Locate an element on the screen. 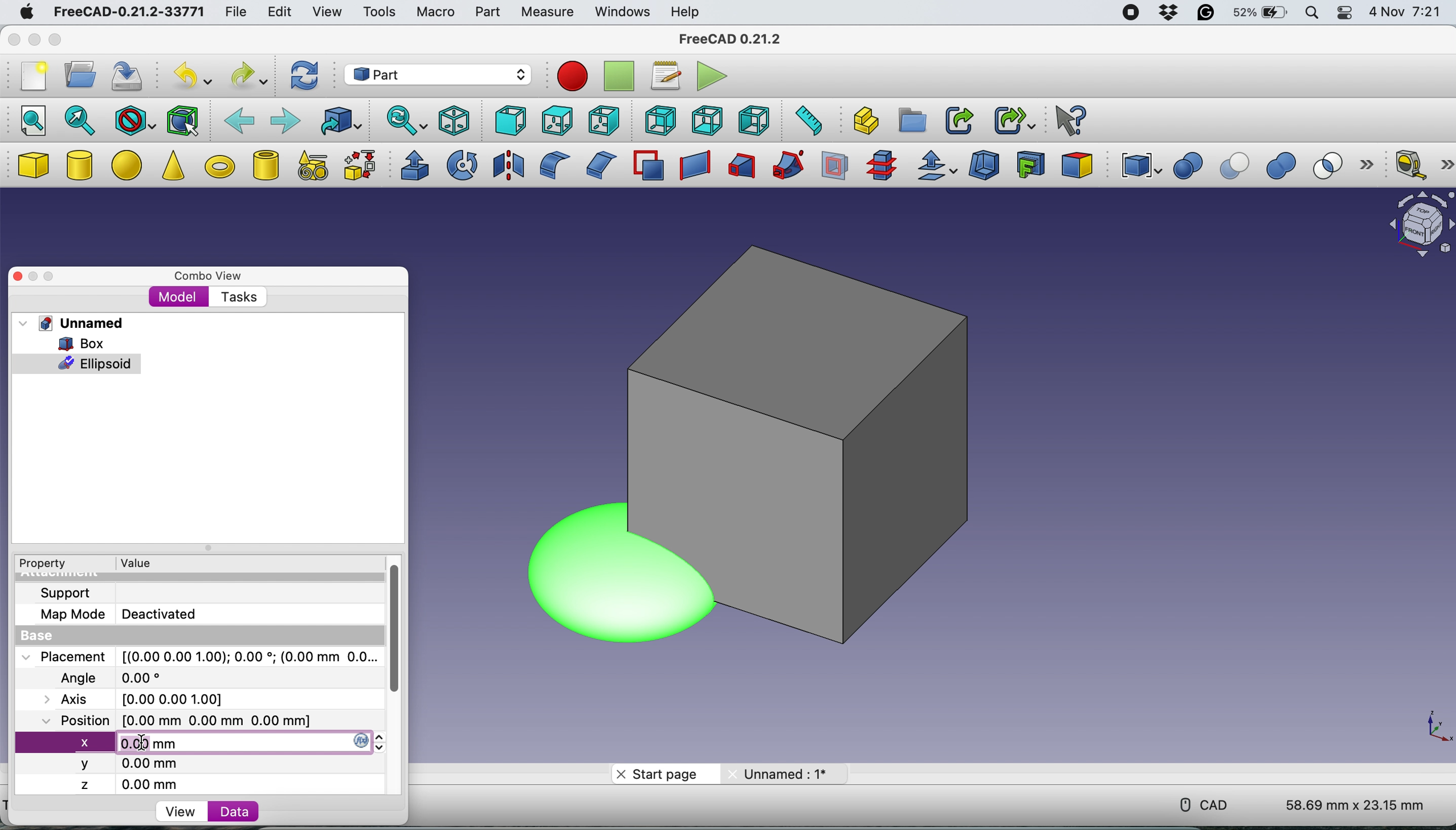 The height and width of the screenshot is (830, 1456). minimise is located at coordinates (35, 276).